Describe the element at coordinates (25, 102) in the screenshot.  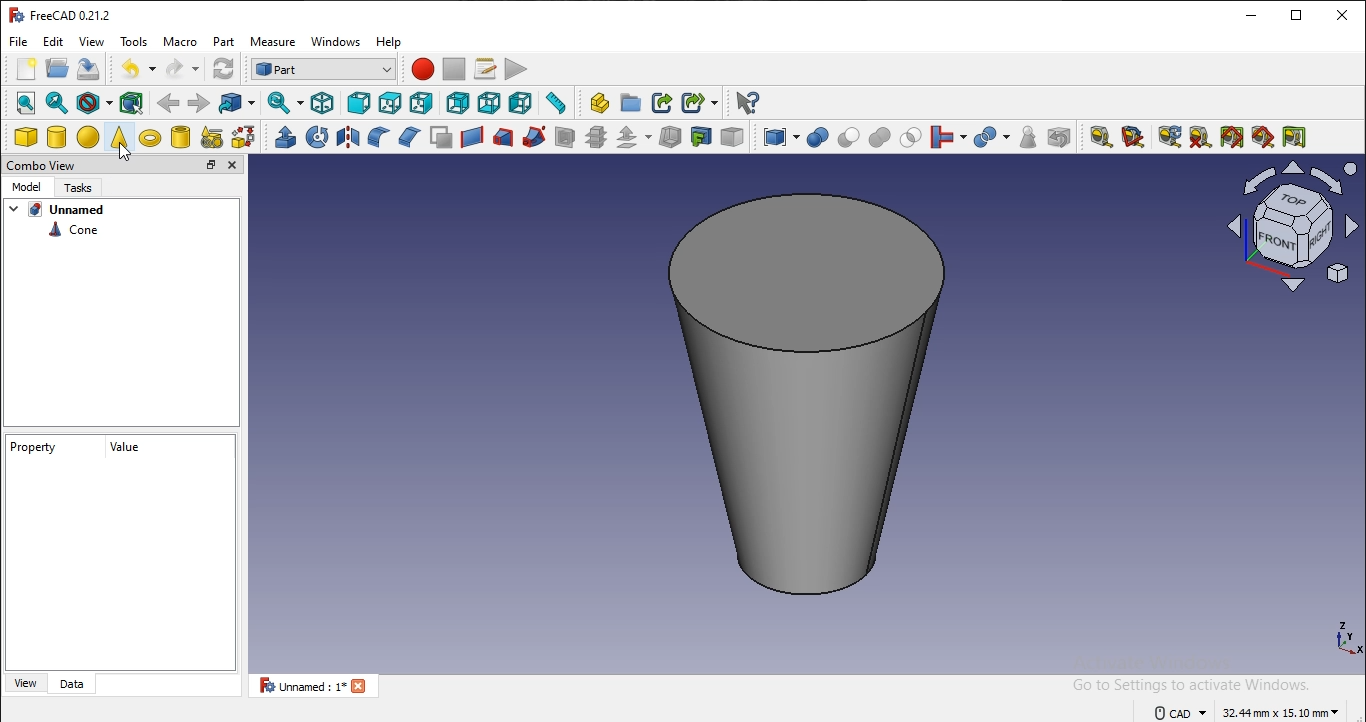
I see `fit all ` at that location.